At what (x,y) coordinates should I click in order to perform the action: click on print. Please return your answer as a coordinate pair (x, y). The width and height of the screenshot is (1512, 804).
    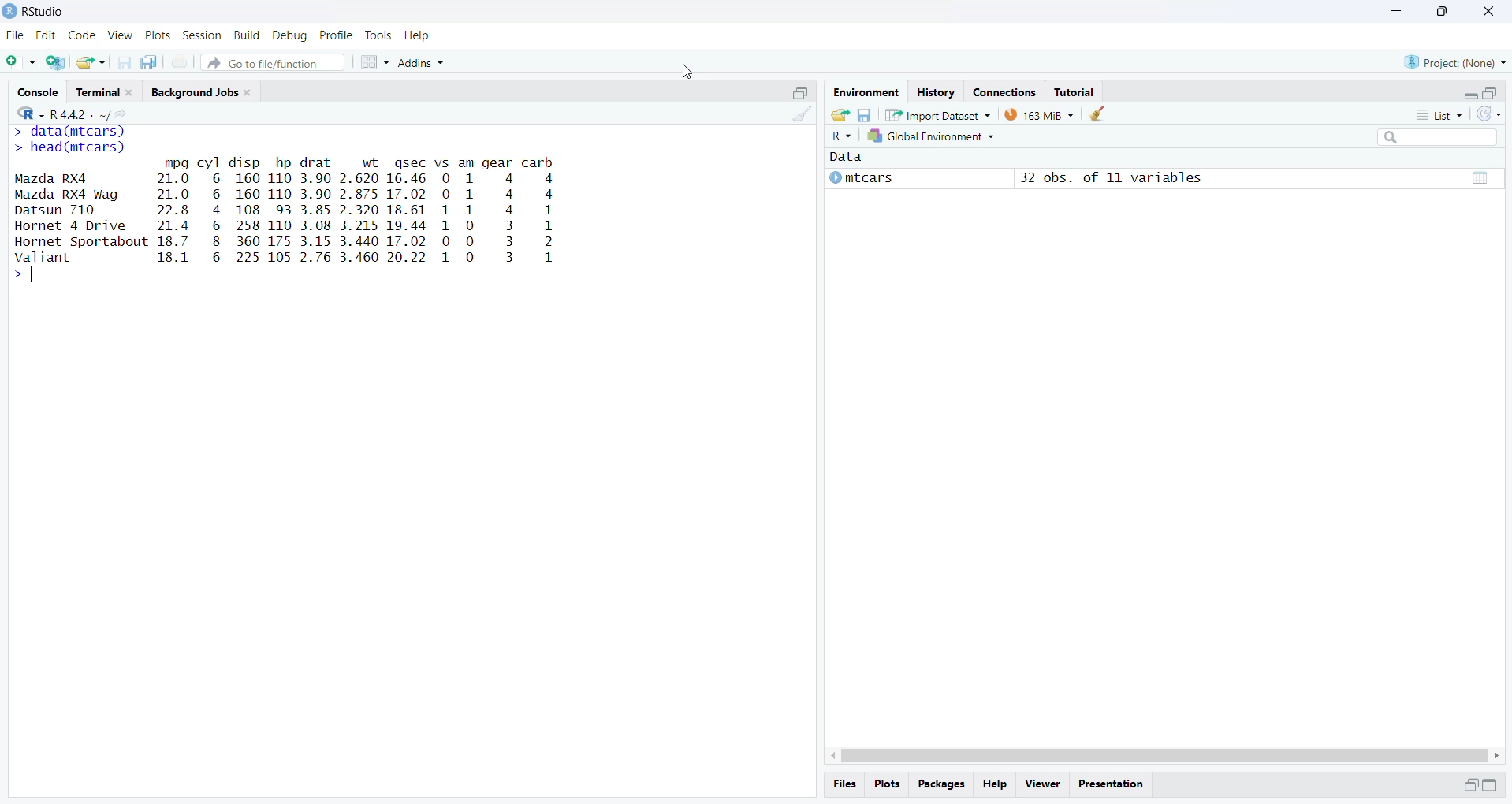
    Looking at the image, I should click on (180, 62).